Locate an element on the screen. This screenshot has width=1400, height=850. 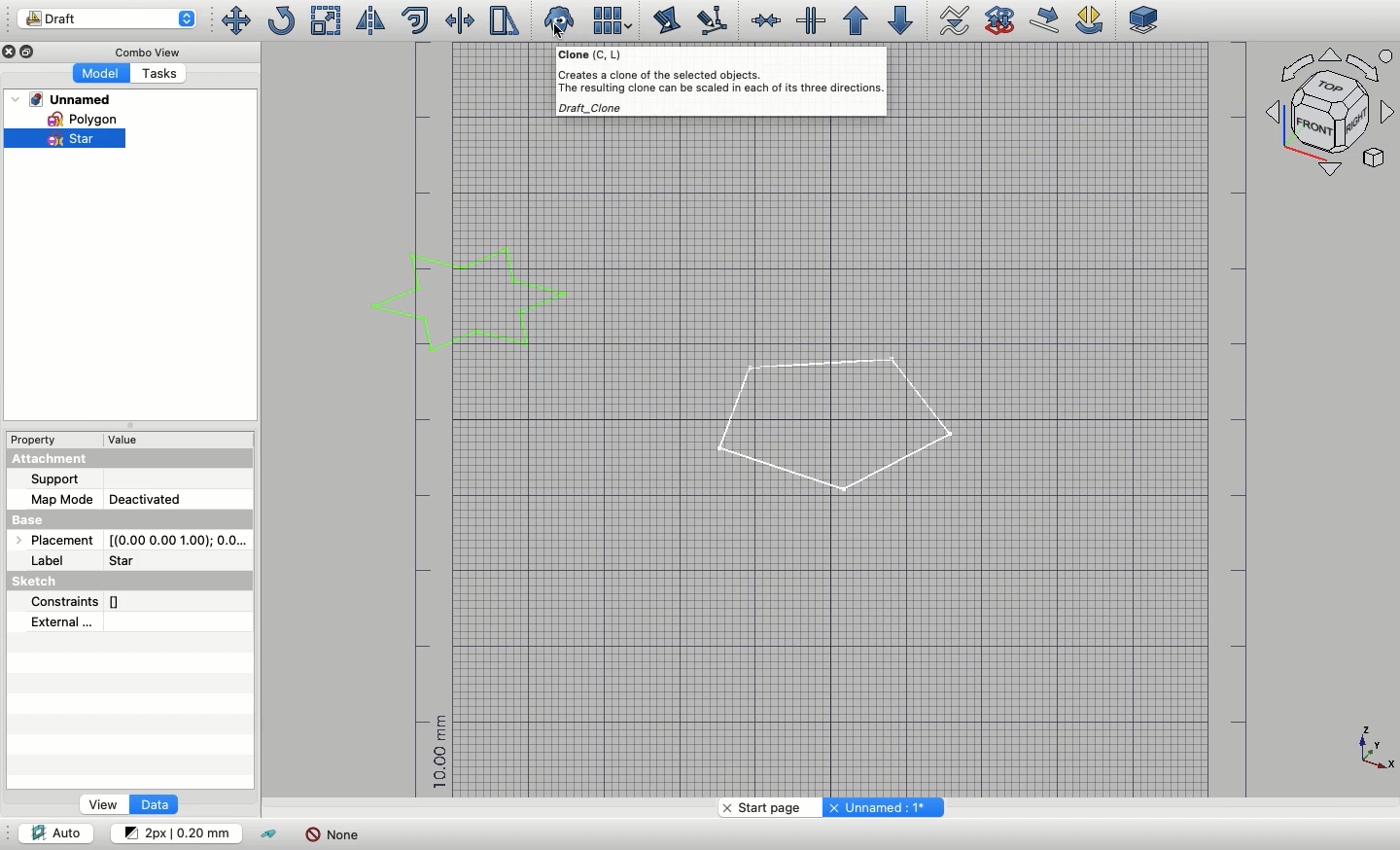
Draft move is located at coordinates (1046, 19).